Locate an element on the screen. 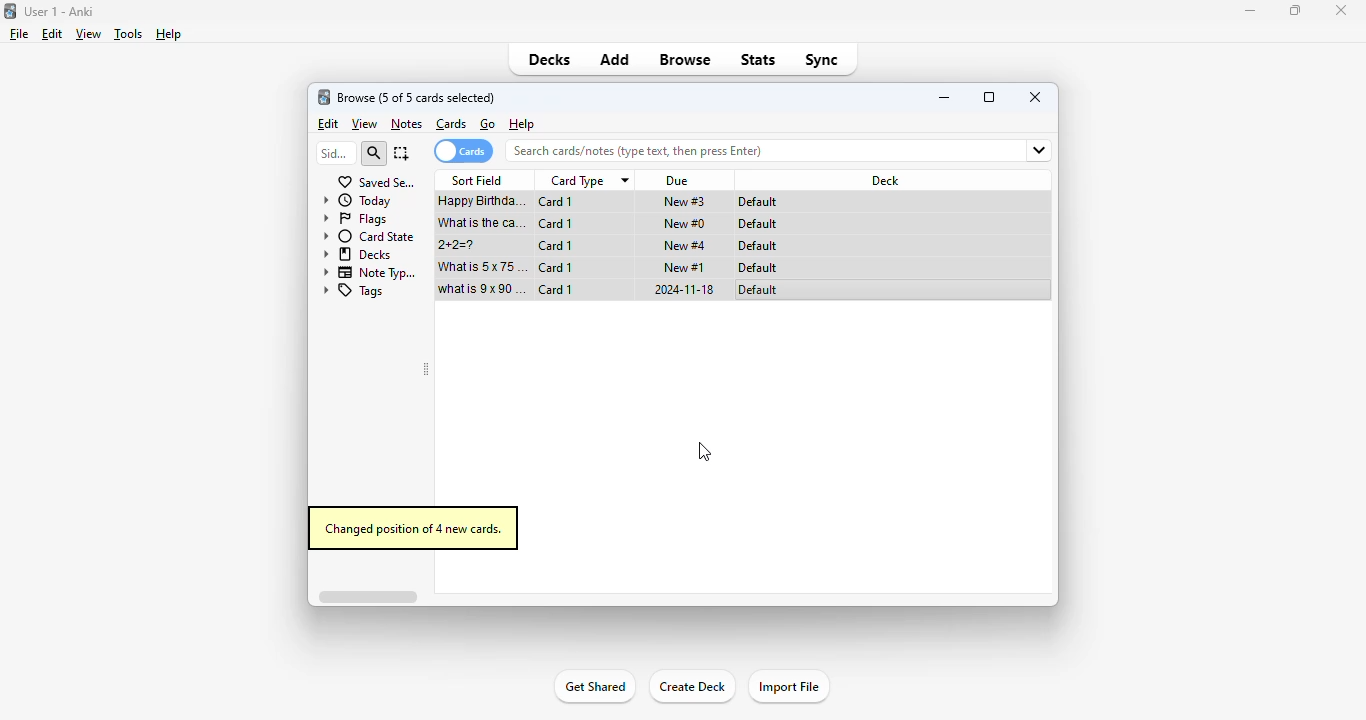 The image size is (1366, 720). default is located at coordinates (758, 290).